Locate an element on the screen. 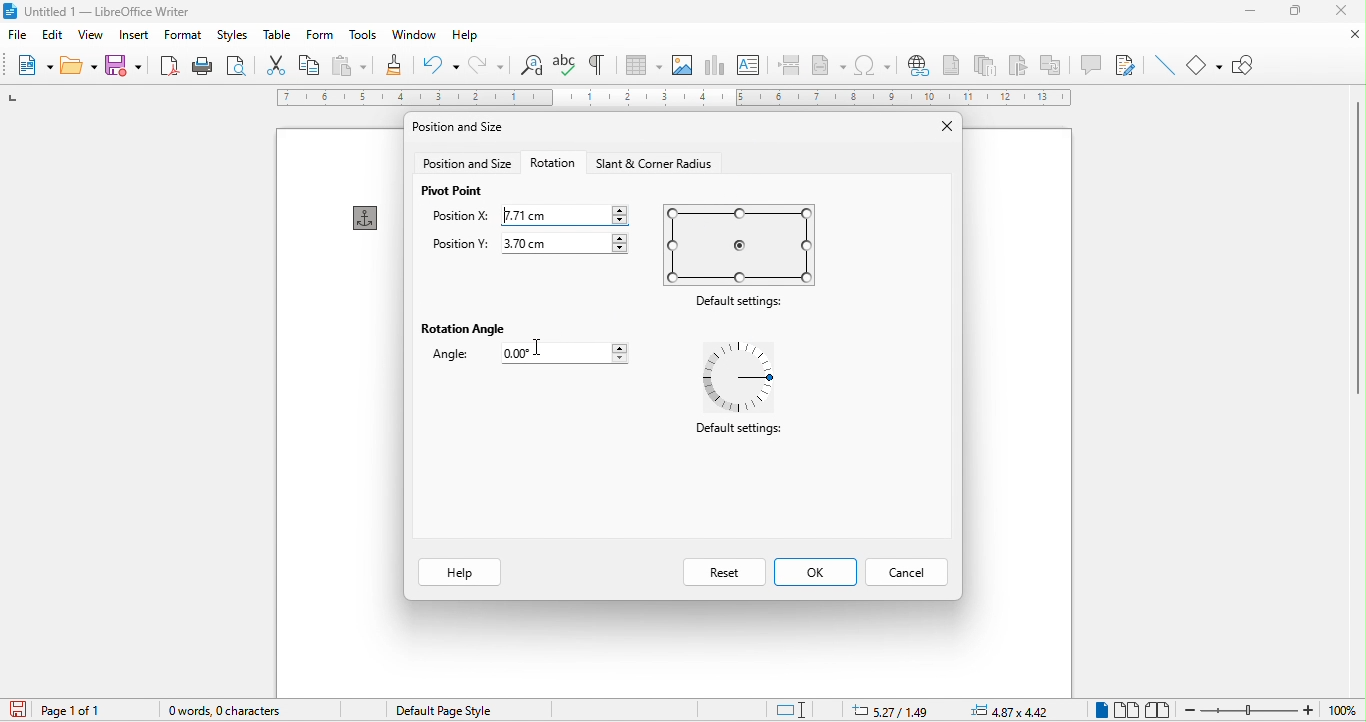  window is located at coordinates (415, 35).